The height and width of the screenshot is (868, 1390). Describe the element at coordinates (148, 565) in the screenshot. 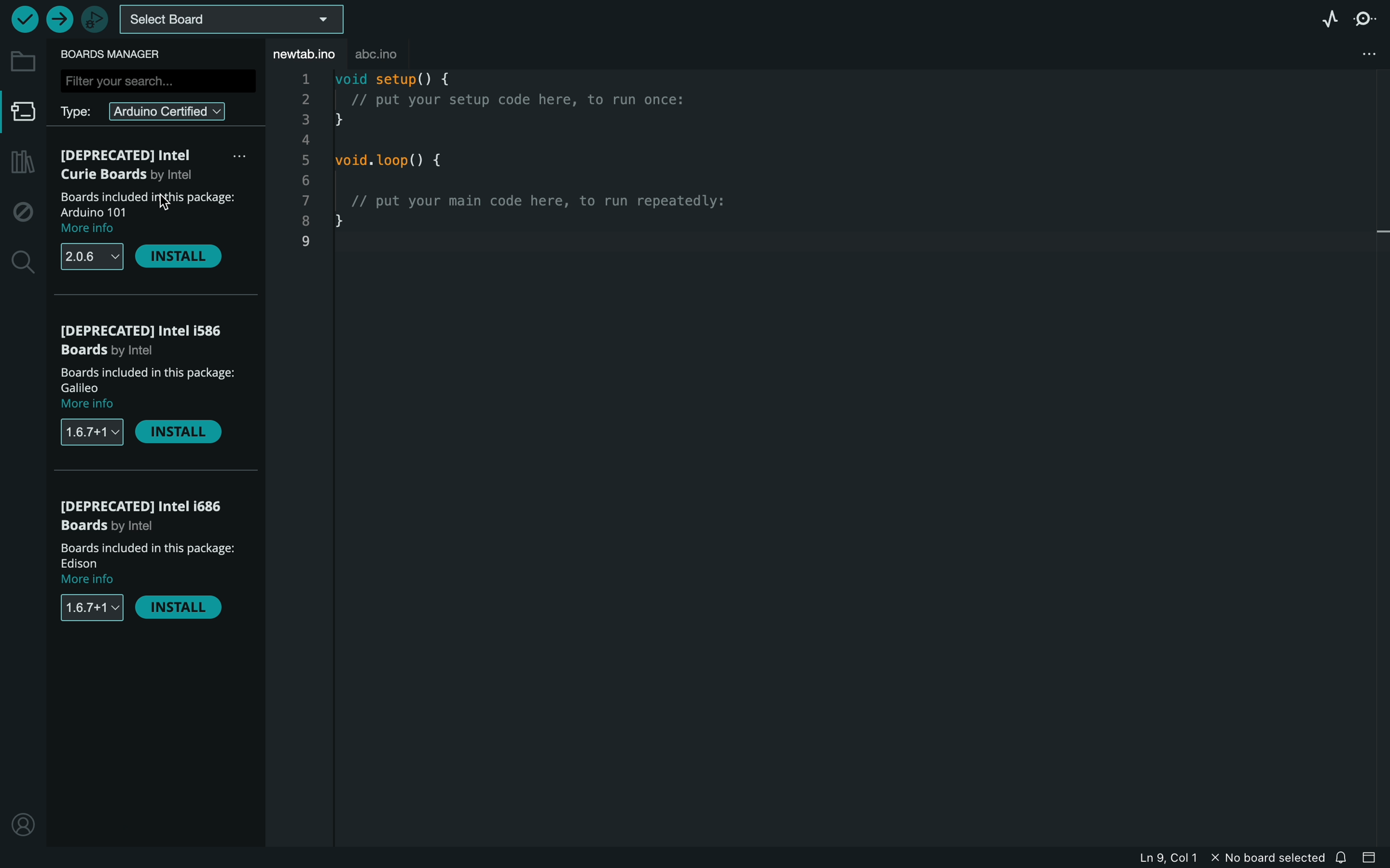

I see `description` at that location.